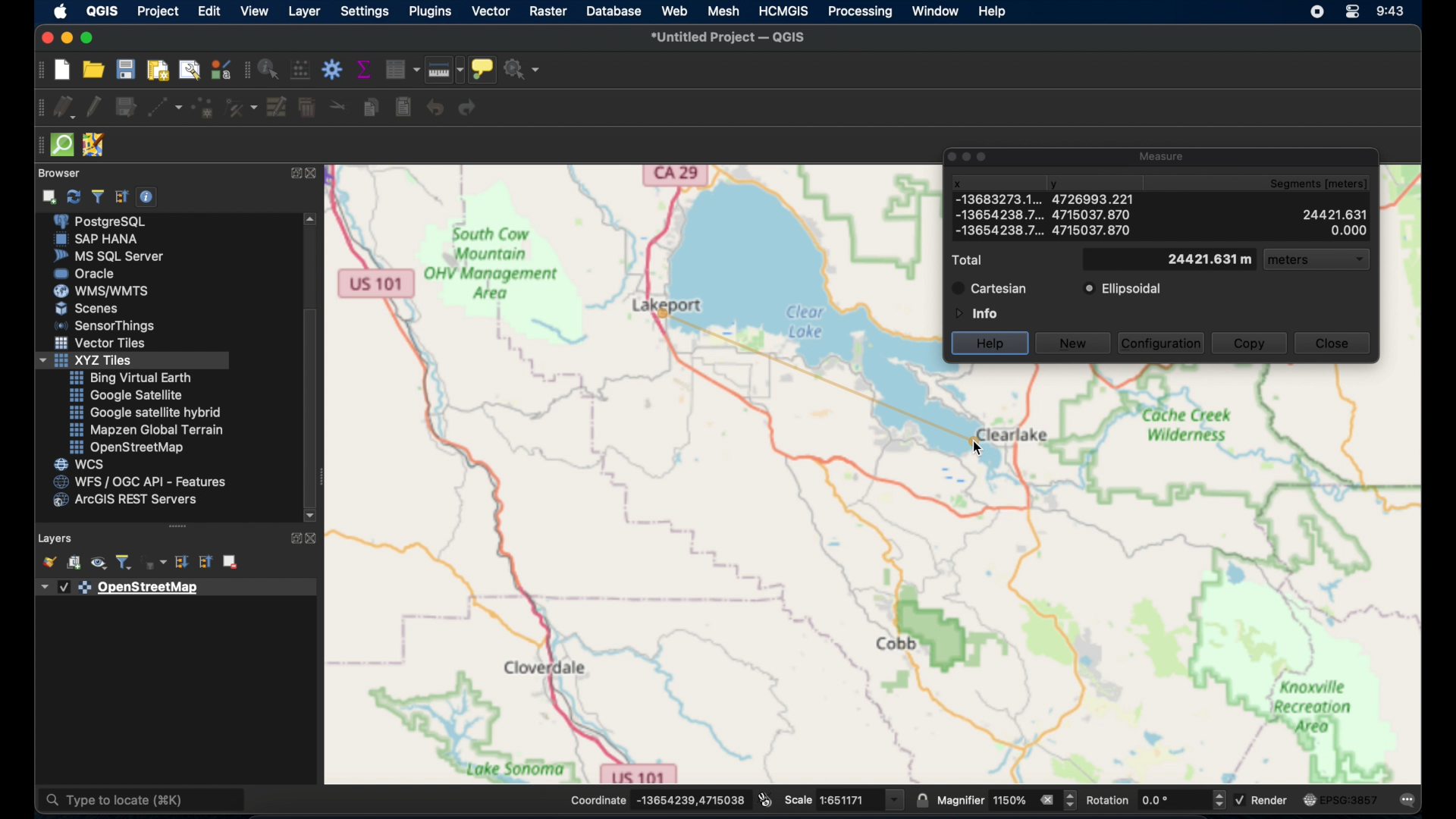 The height and width of the screenshot is (819, 1456). Describe the element at coordinates (317, 176) in the screenshot. I see `close` at that location.